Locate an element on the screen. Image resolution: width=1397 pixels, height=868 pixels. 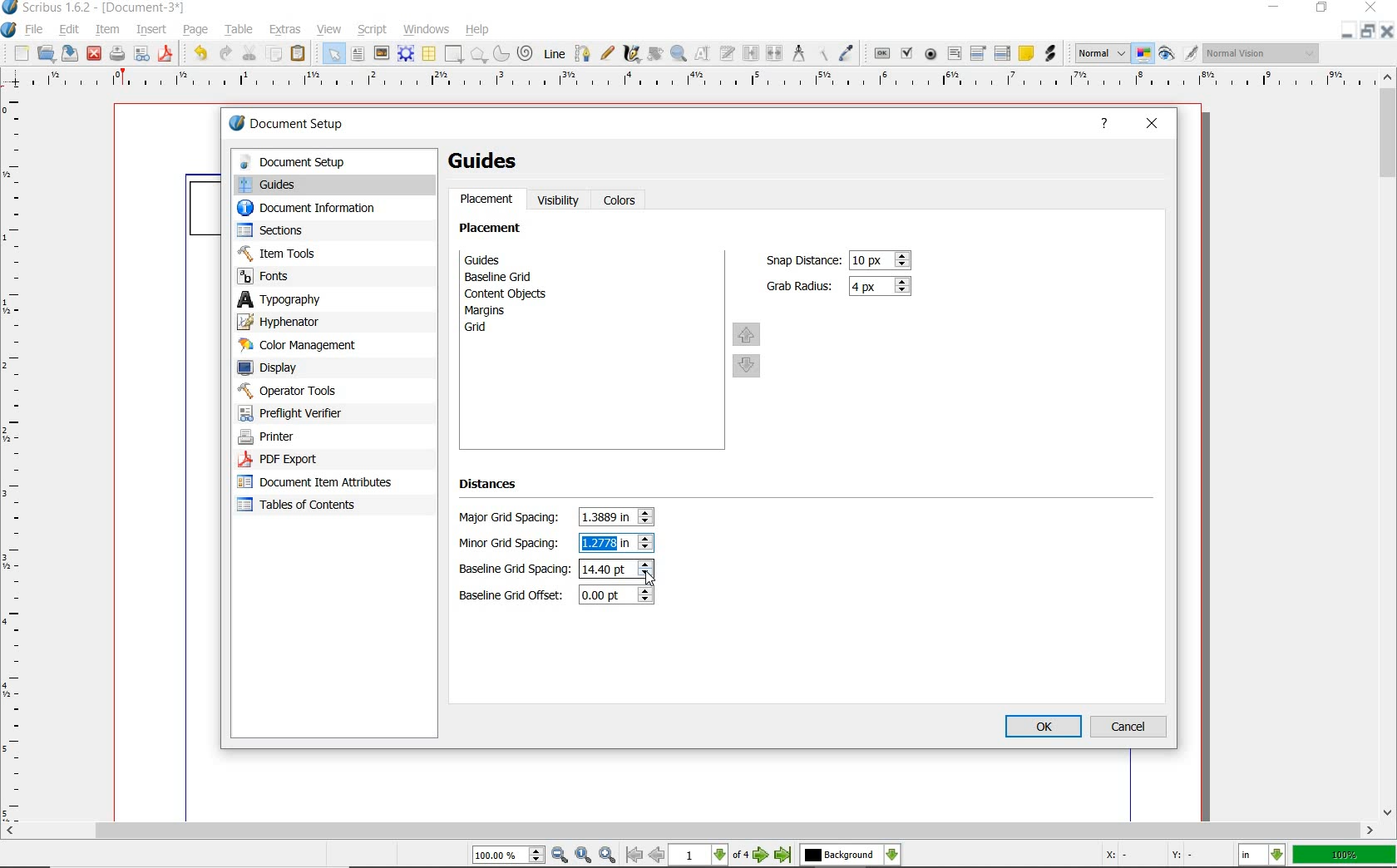
go to next page is located at coordinates (763, 856).